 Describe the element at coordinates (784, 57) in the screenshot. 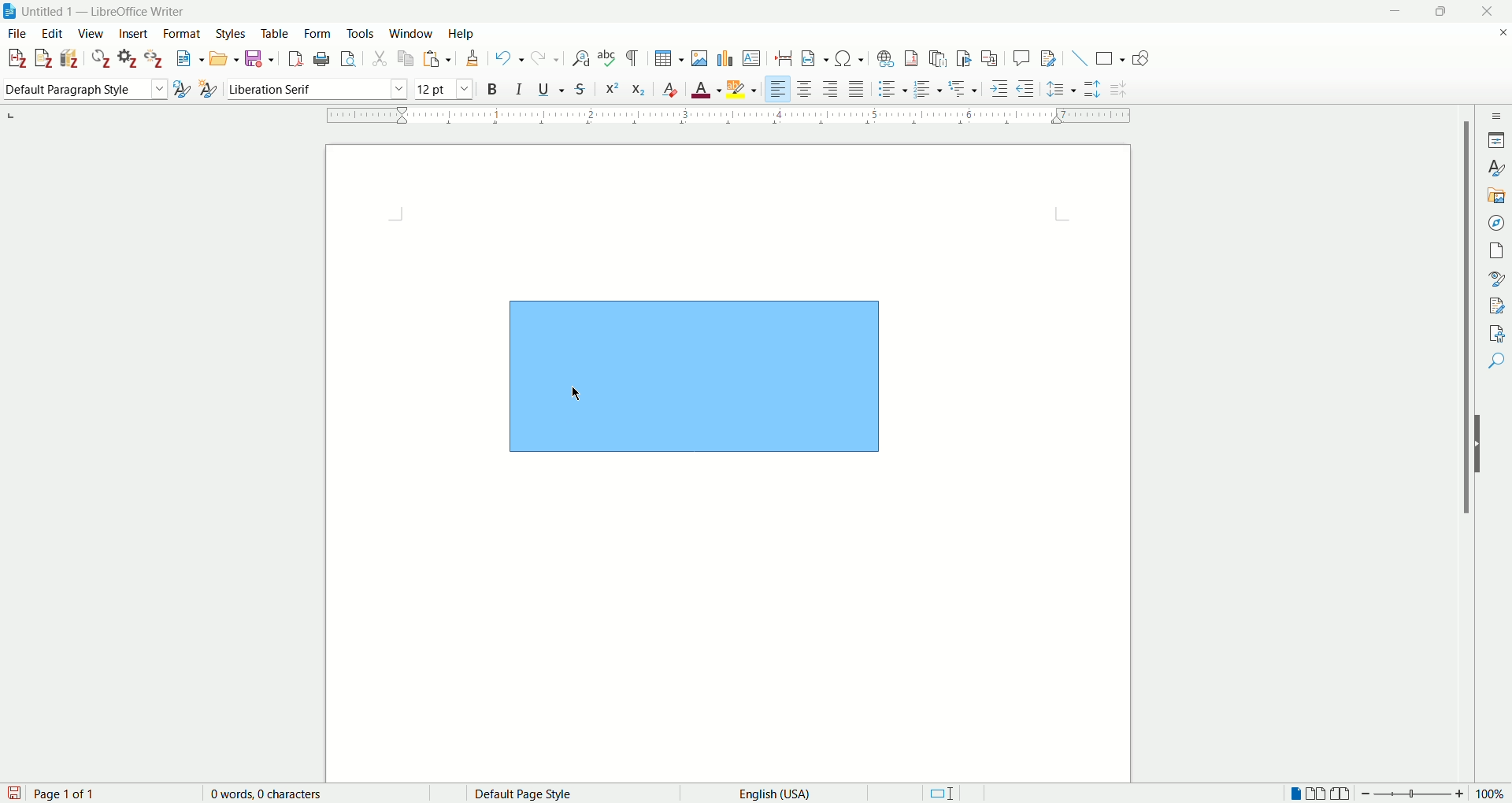

I see `insert pagebreak` at that location.